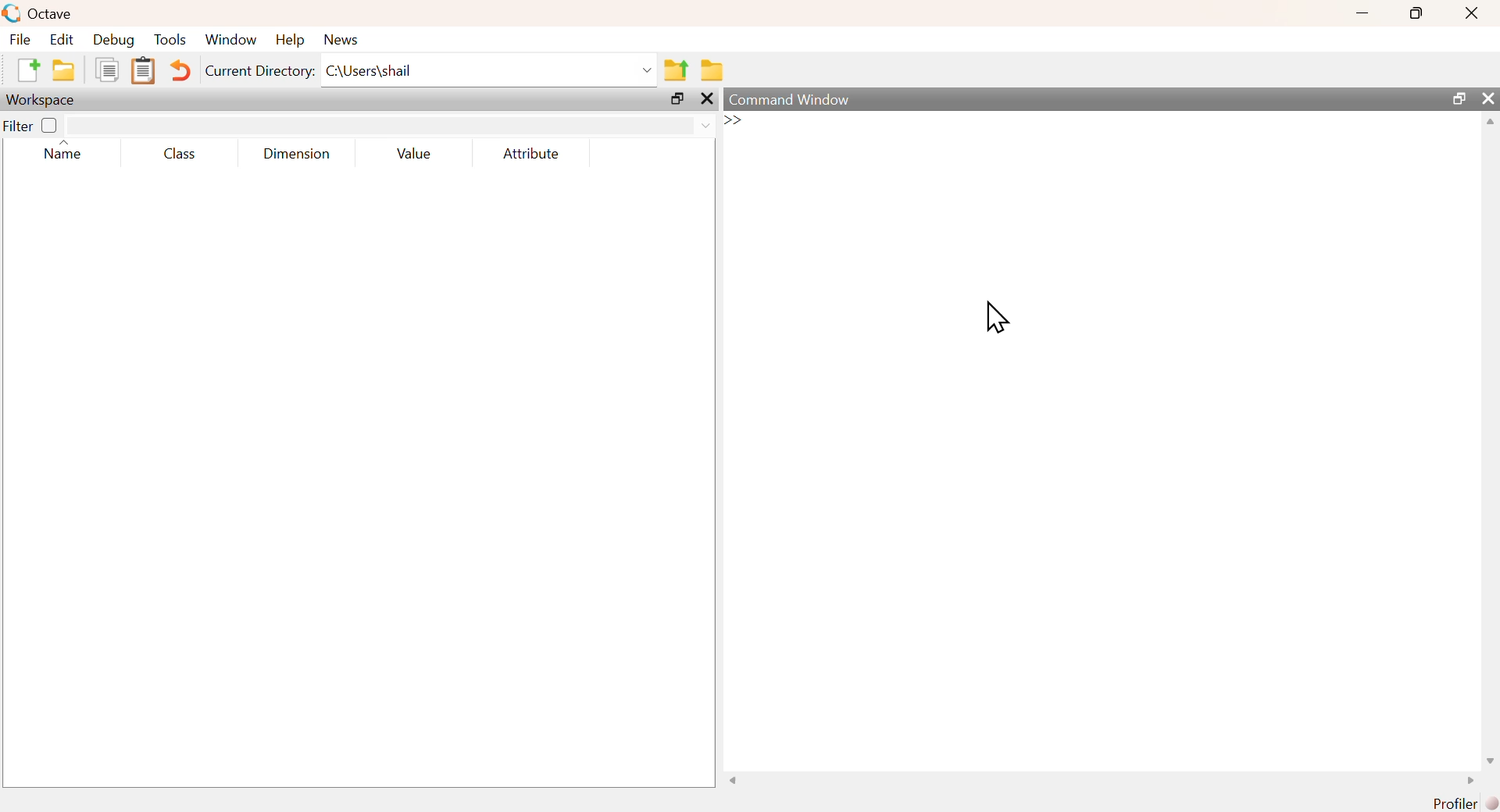  What do you see at coordinates (43, 100) in the screenshot?
I see `Workspace` at bounding box center [43, 100].